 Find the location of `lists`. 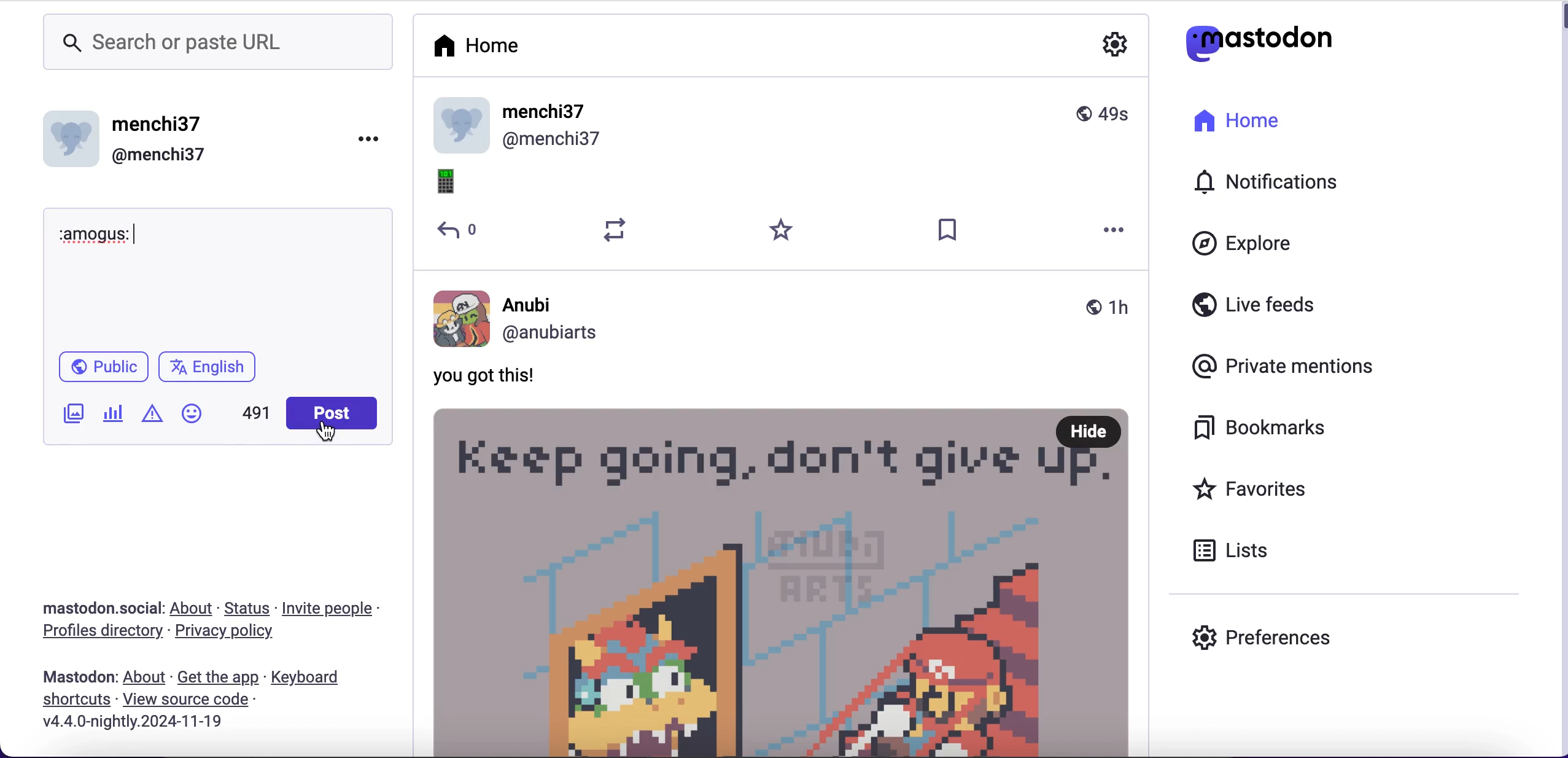

lists is located at coordinates (1234, 551).